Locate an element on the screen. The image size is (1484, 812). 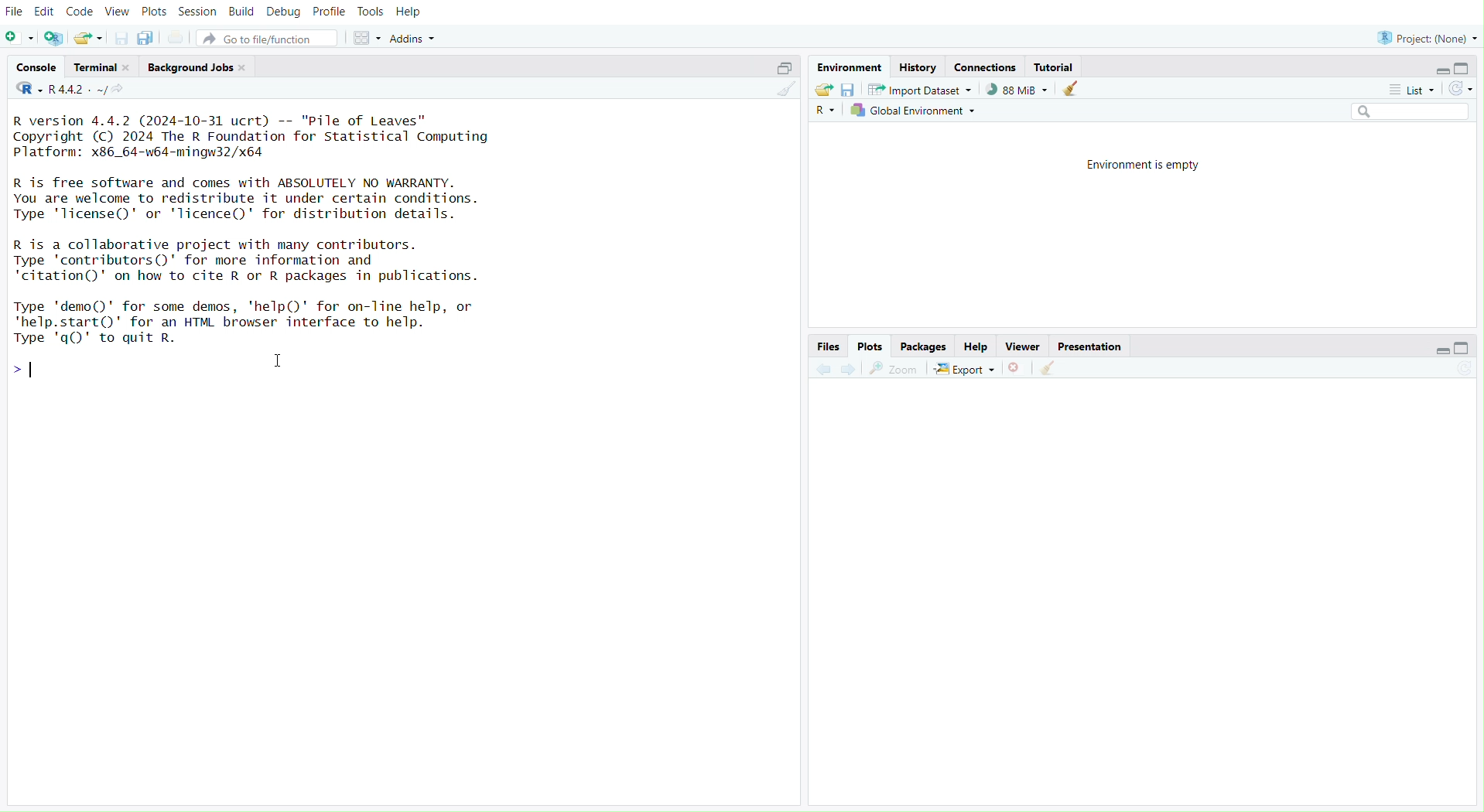
Background Jobs is located at coordinates (194, 67).